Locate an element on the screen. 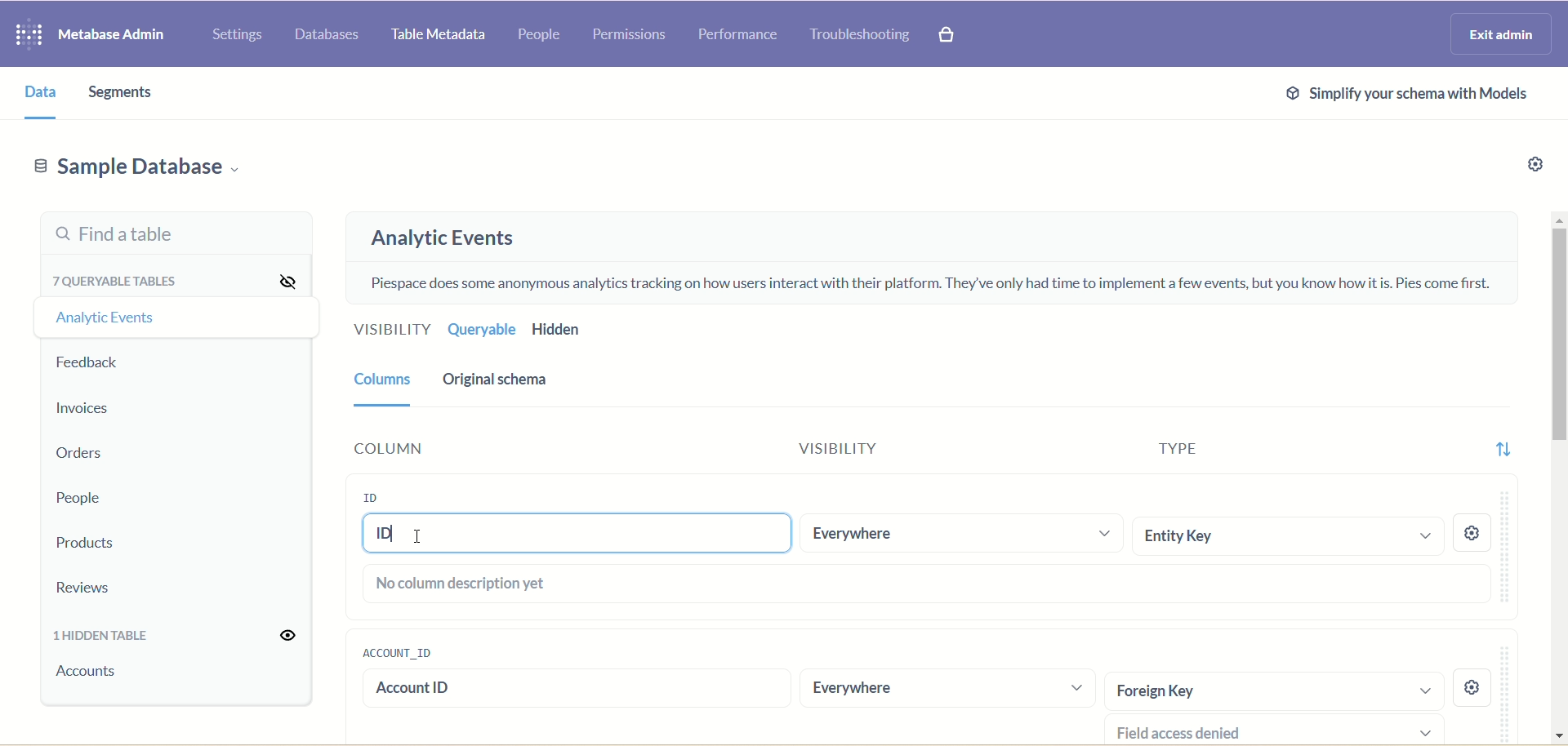 Image resolution: width=1568 pixels, height=746 pixels. cursor is located at coordinates (425, 536).